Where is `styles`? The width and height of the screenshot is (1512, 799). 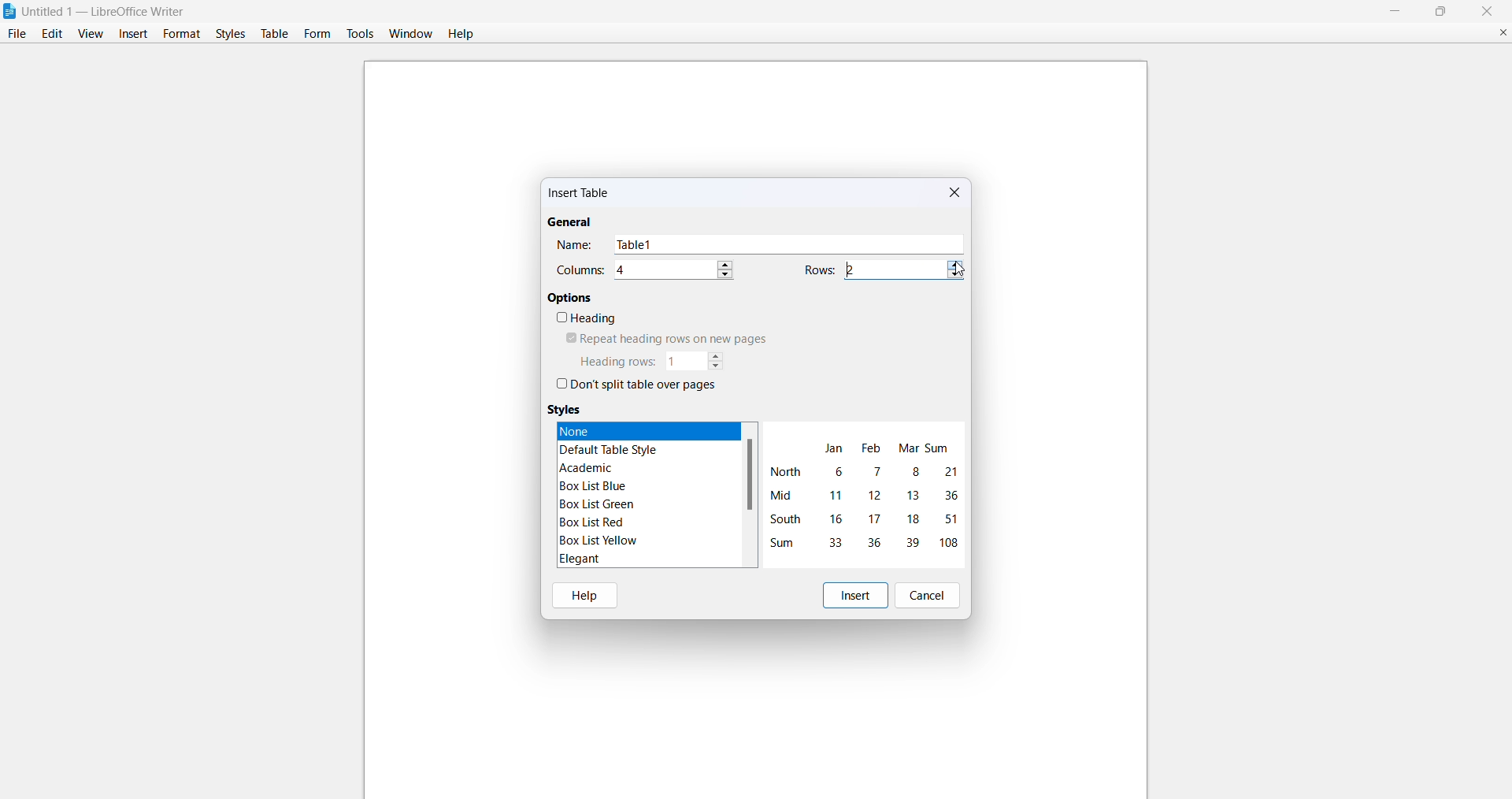 styles is located at coordinates (566, 409).